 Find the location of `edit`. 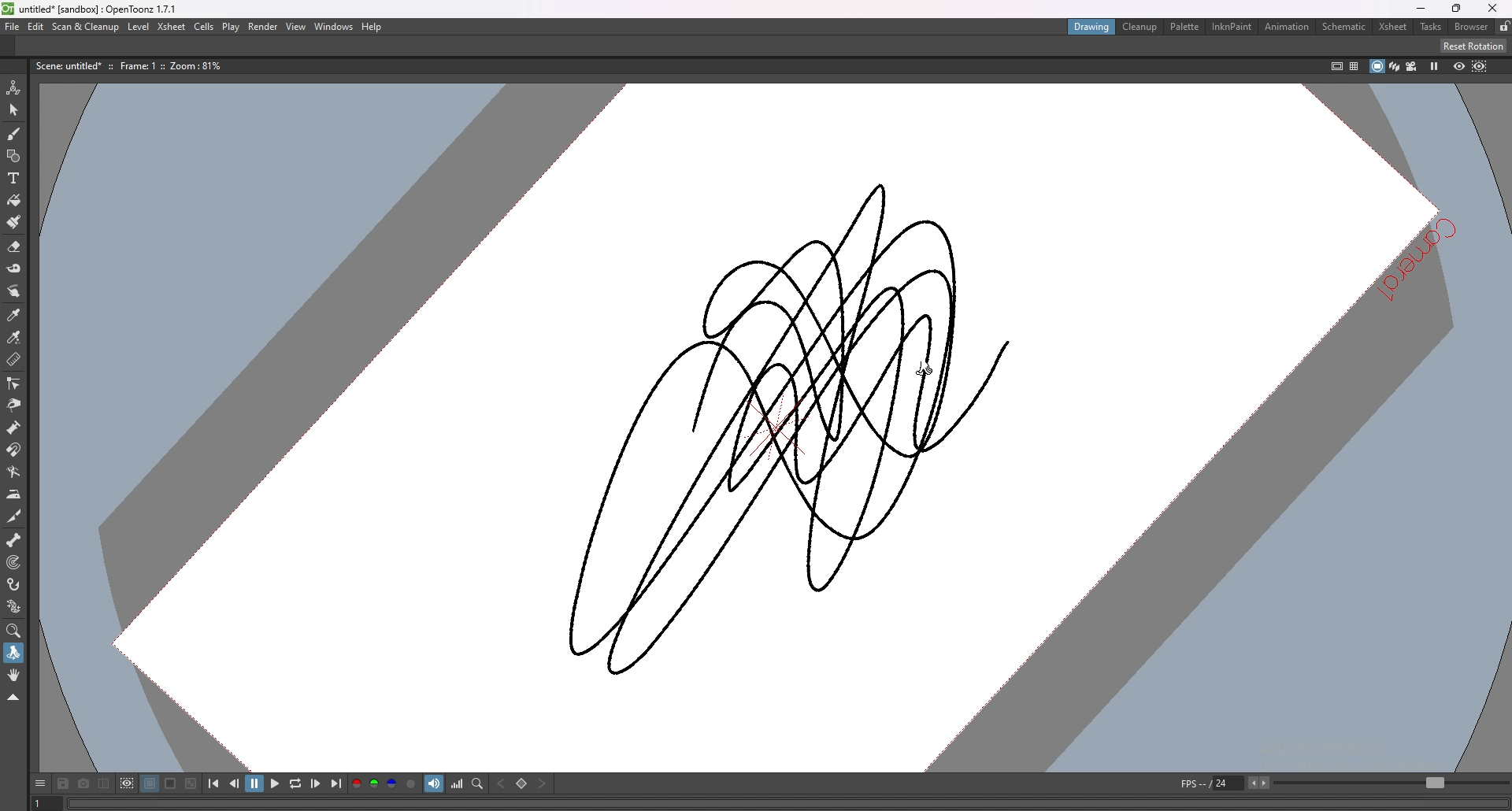

edit is located at coordinates (35, 28).